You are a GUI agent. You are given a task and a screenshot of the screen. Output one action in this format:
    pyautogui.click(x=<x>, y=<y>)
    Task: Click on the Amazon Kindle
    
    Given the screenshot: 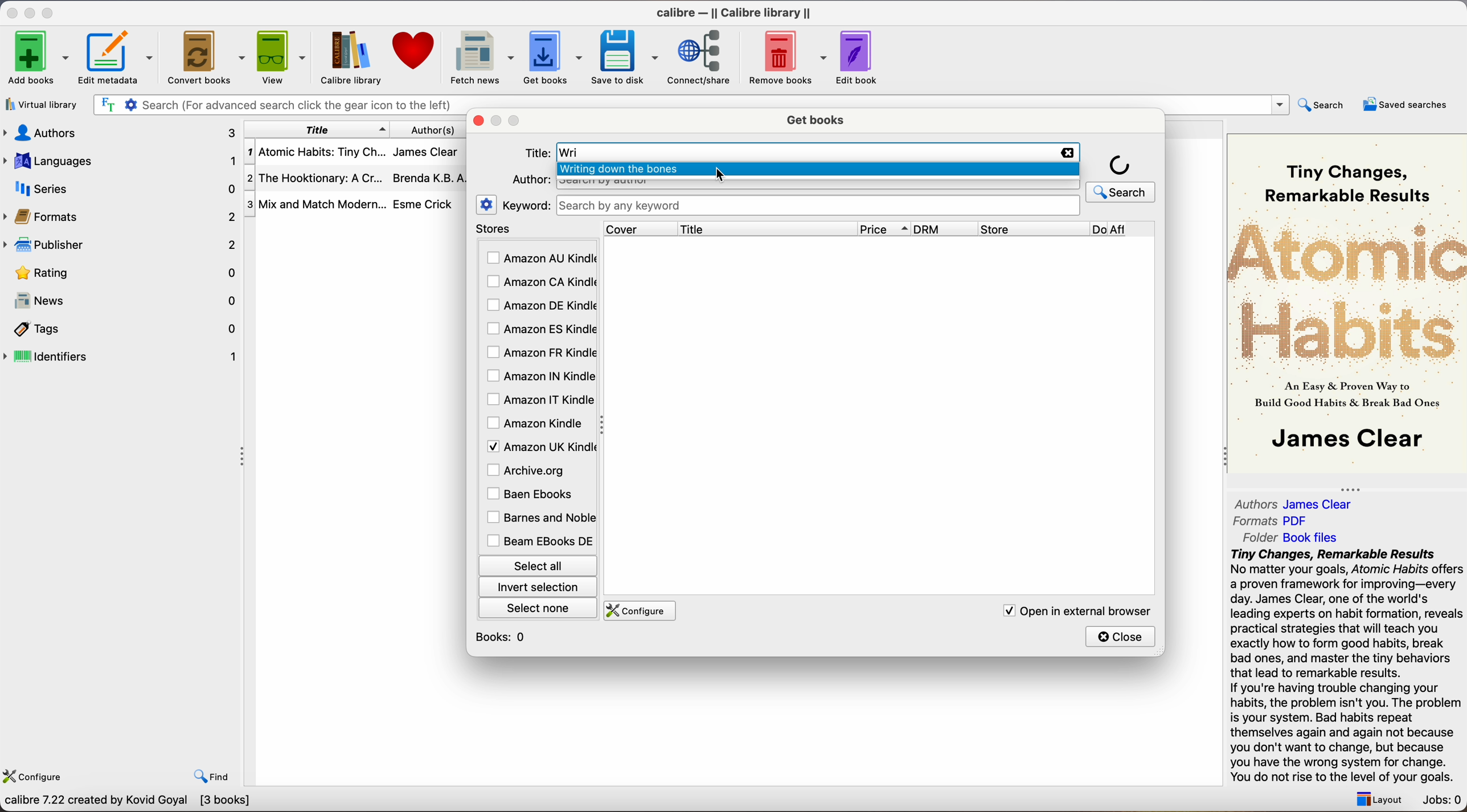 What is the action you would take?
    pyautogui.click(x=536, y=423)
    